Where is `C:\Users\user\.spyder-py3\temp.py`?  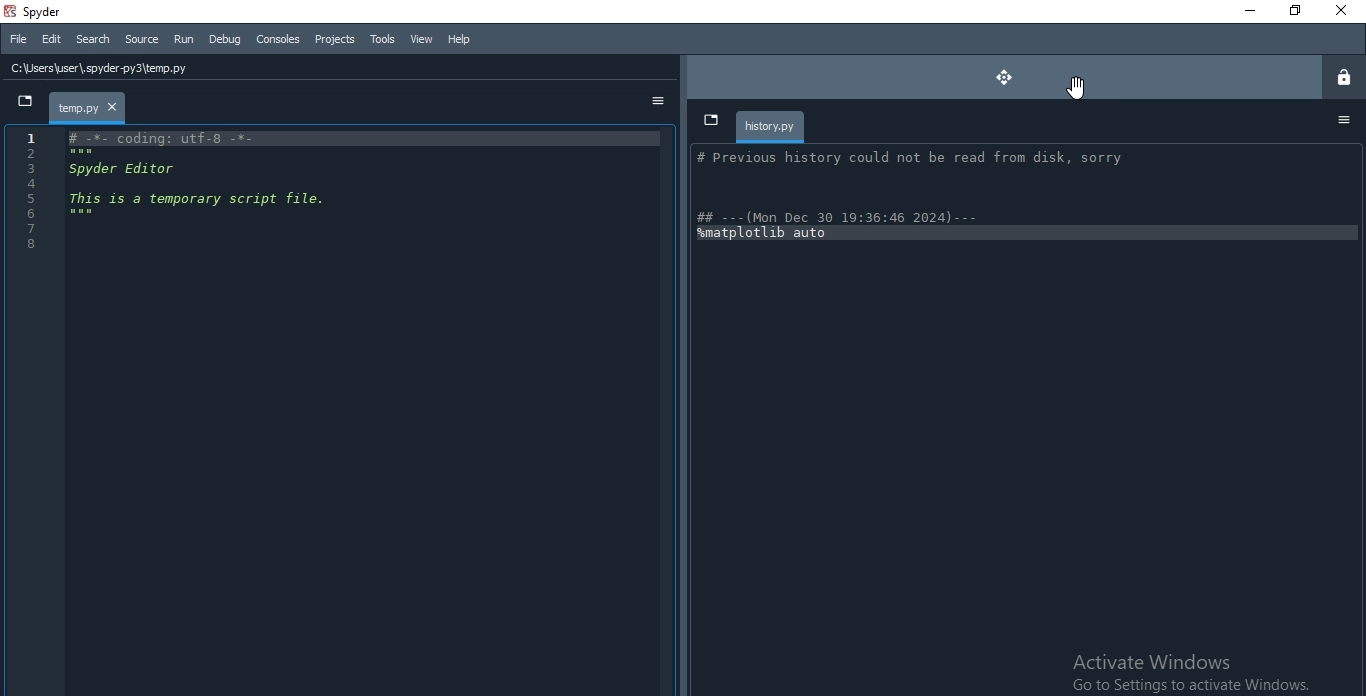 C:\Users\user\.spyder-py3\temp.py is located at coordinates (118, 70).